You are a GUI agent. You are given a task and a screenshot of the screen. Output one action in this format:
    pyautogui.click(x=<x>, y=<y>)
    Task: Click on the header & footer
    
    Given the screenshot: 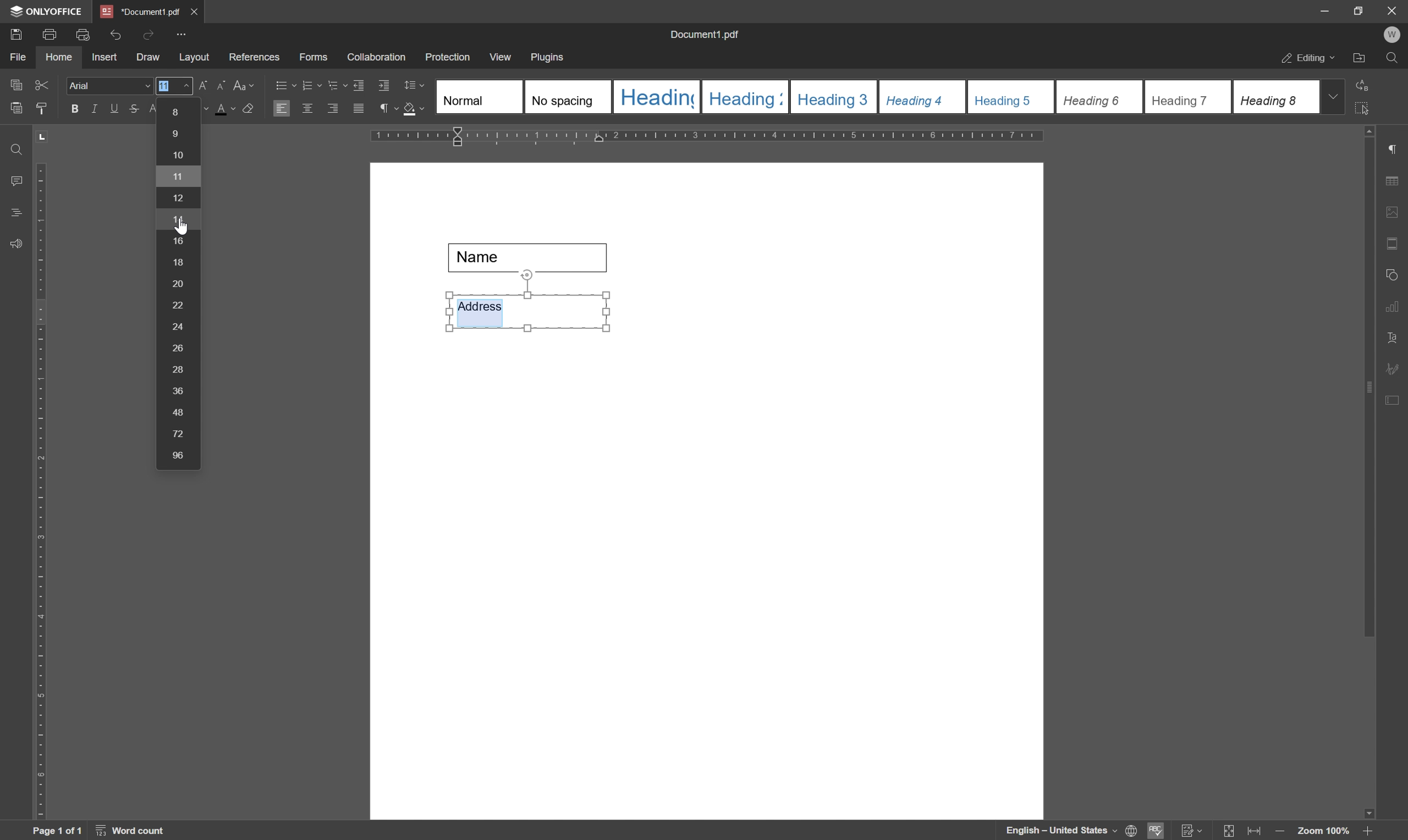 What is the action you would take?
    pyautogui.click(x=1394, y=245)
    